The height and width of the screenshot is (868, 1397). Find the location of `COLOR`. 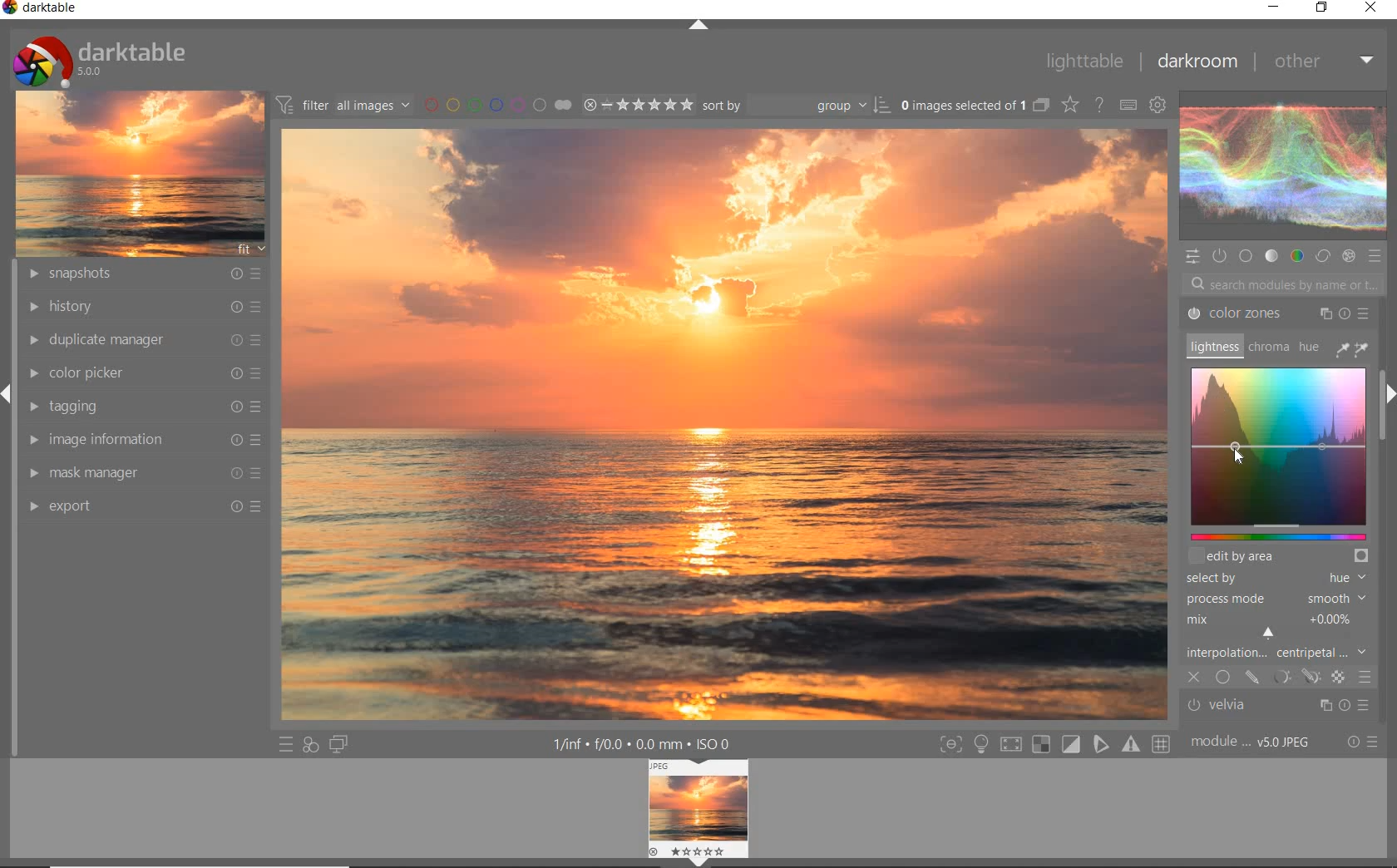

COLOR is located at coordinates (1295, 256).